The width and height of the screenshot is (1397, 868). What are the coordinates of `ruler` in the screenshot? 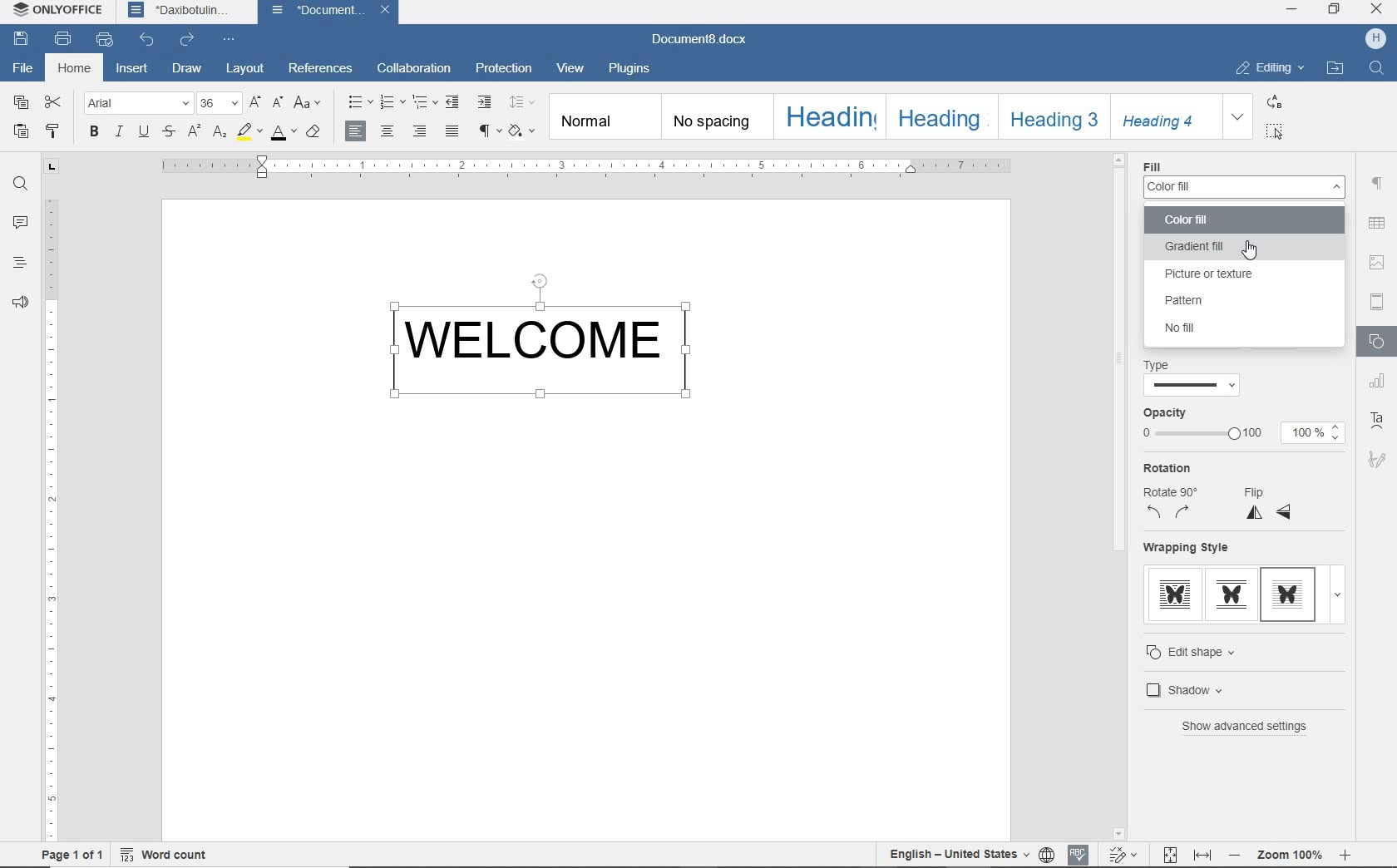 It's located at (588, 166).